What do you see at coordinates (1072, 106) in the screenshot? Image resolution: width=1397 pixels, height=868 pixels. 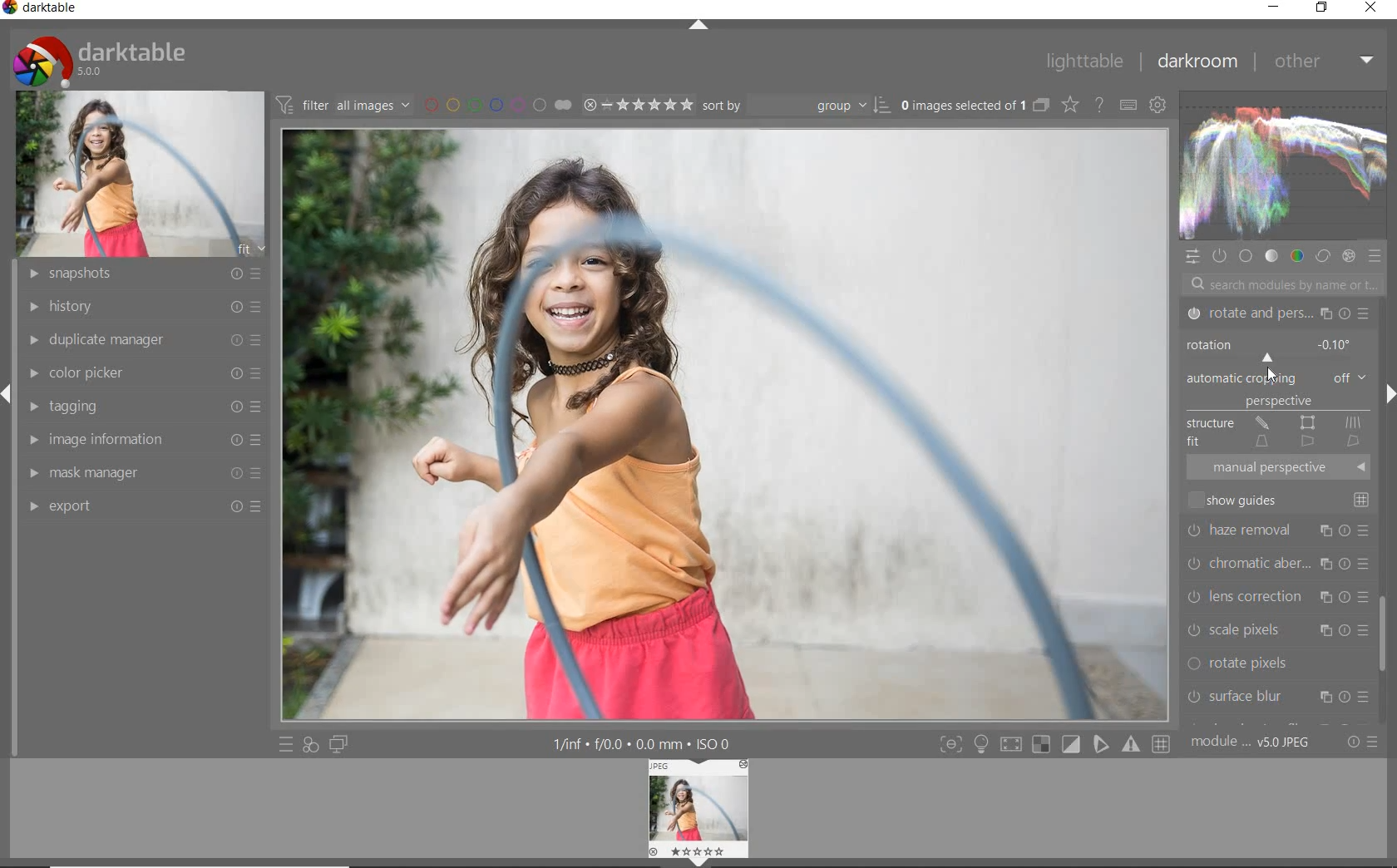 I see `change type of overlay` at bounding box center [1072, 106].